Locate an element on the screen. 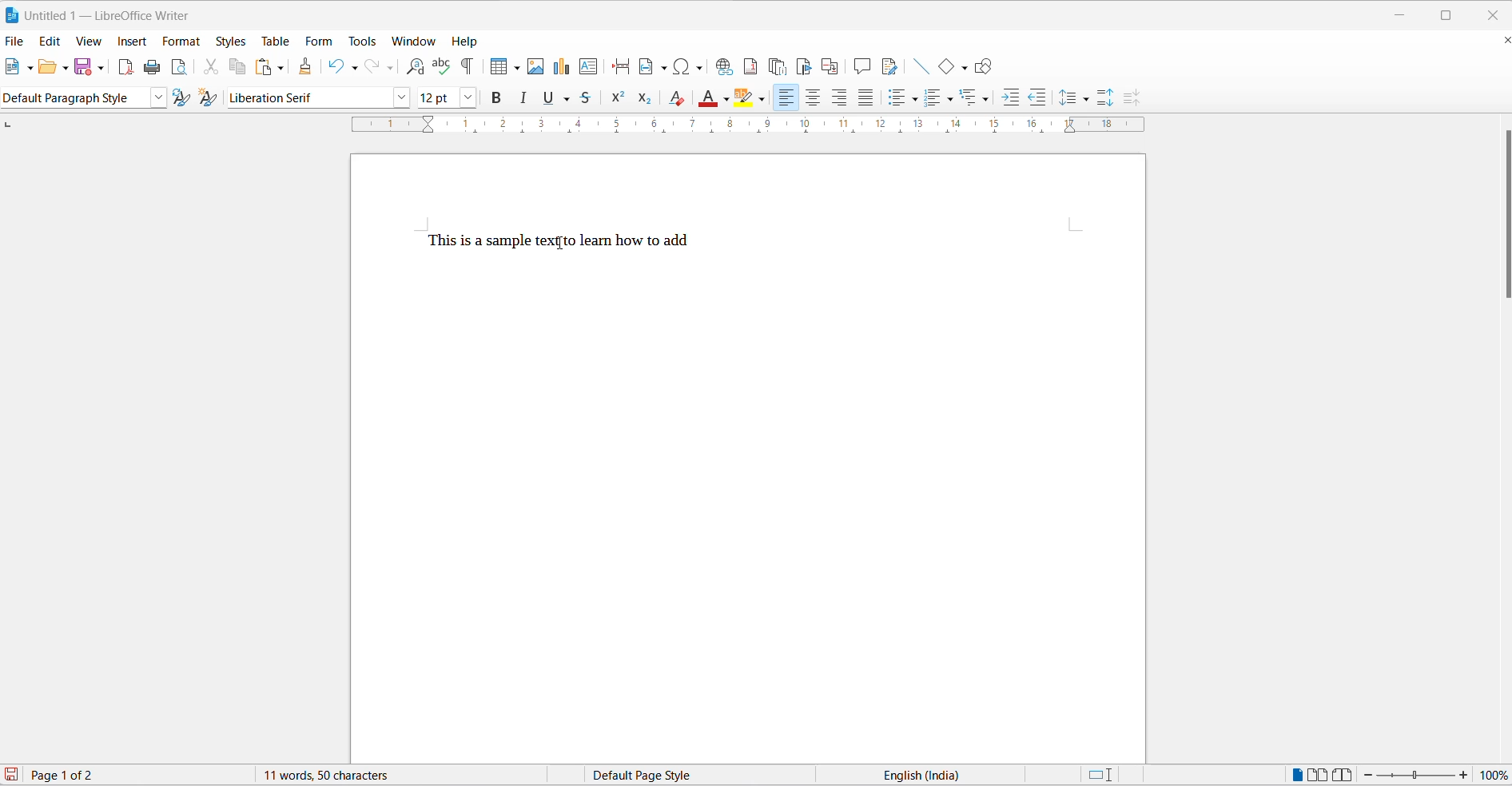 This screenshot has height=786, width=1512. redo is located at coordinates (373, 67).